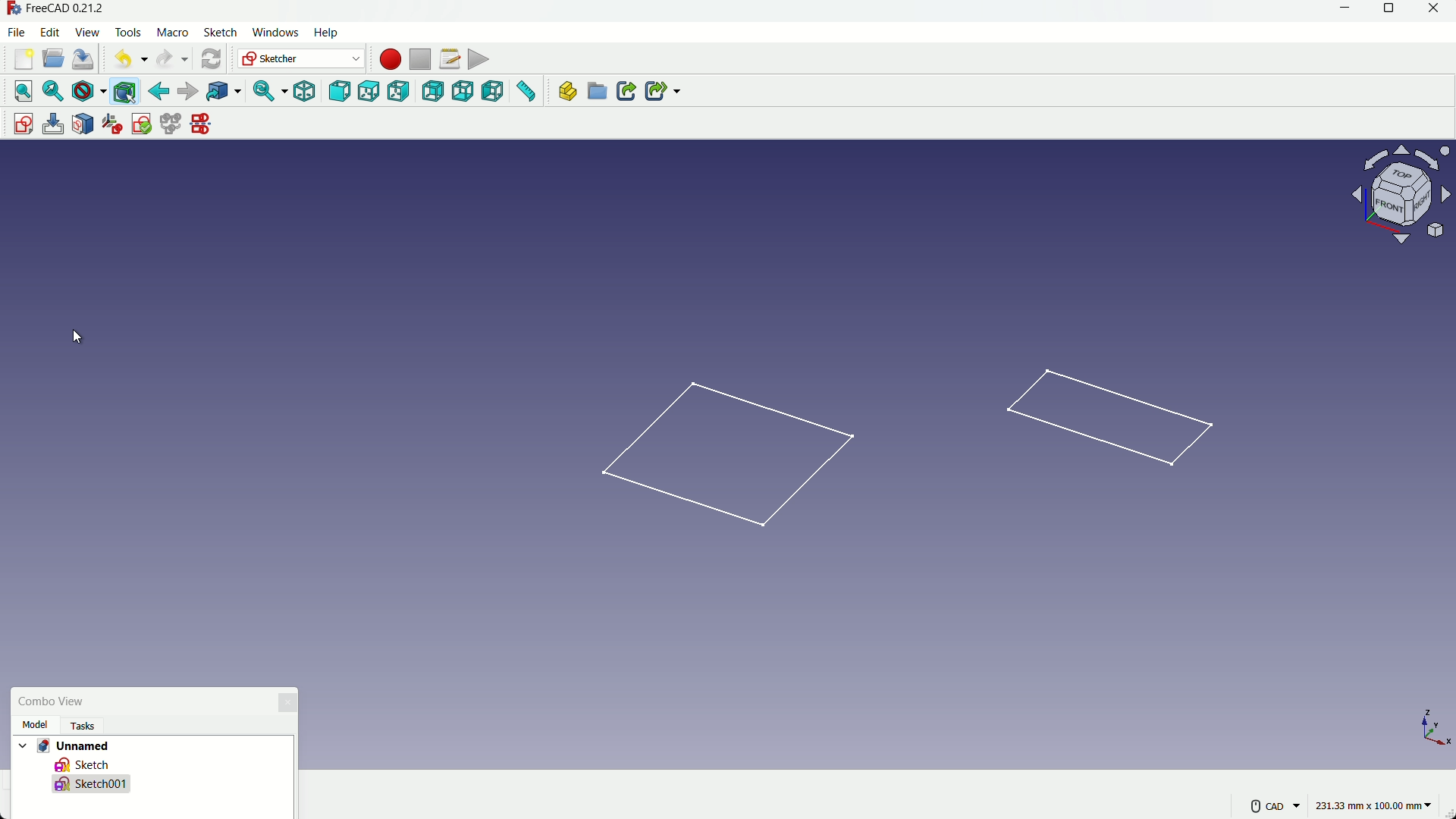 The width and height of the screenshot is (1456, 819). What do you see at coordinates (18, 32) in the screenshot?
I see `file menu` at bounding box center [18, 32].